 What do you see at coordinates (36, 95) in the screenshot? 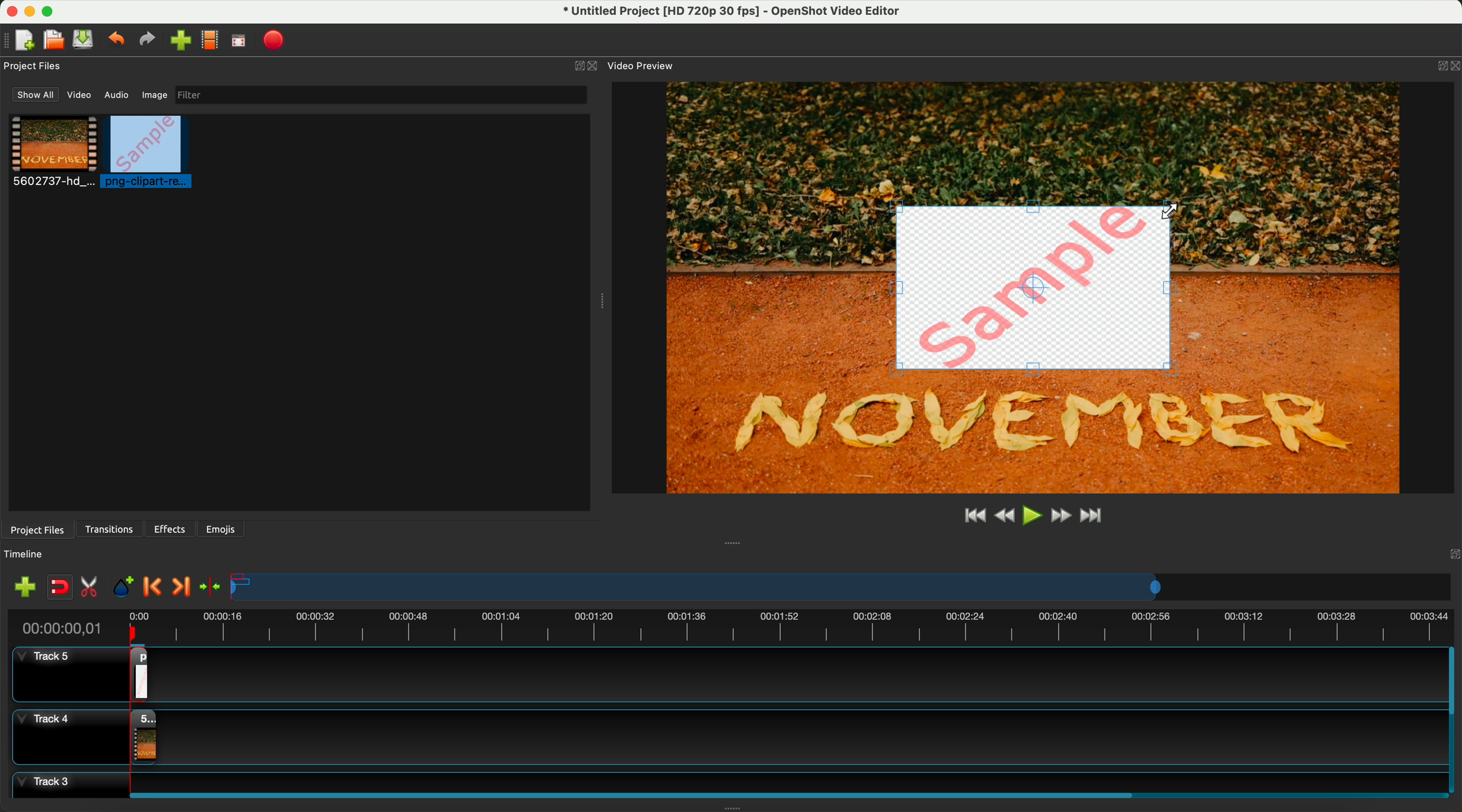
I see `show all` at bounding box center [36, 95].